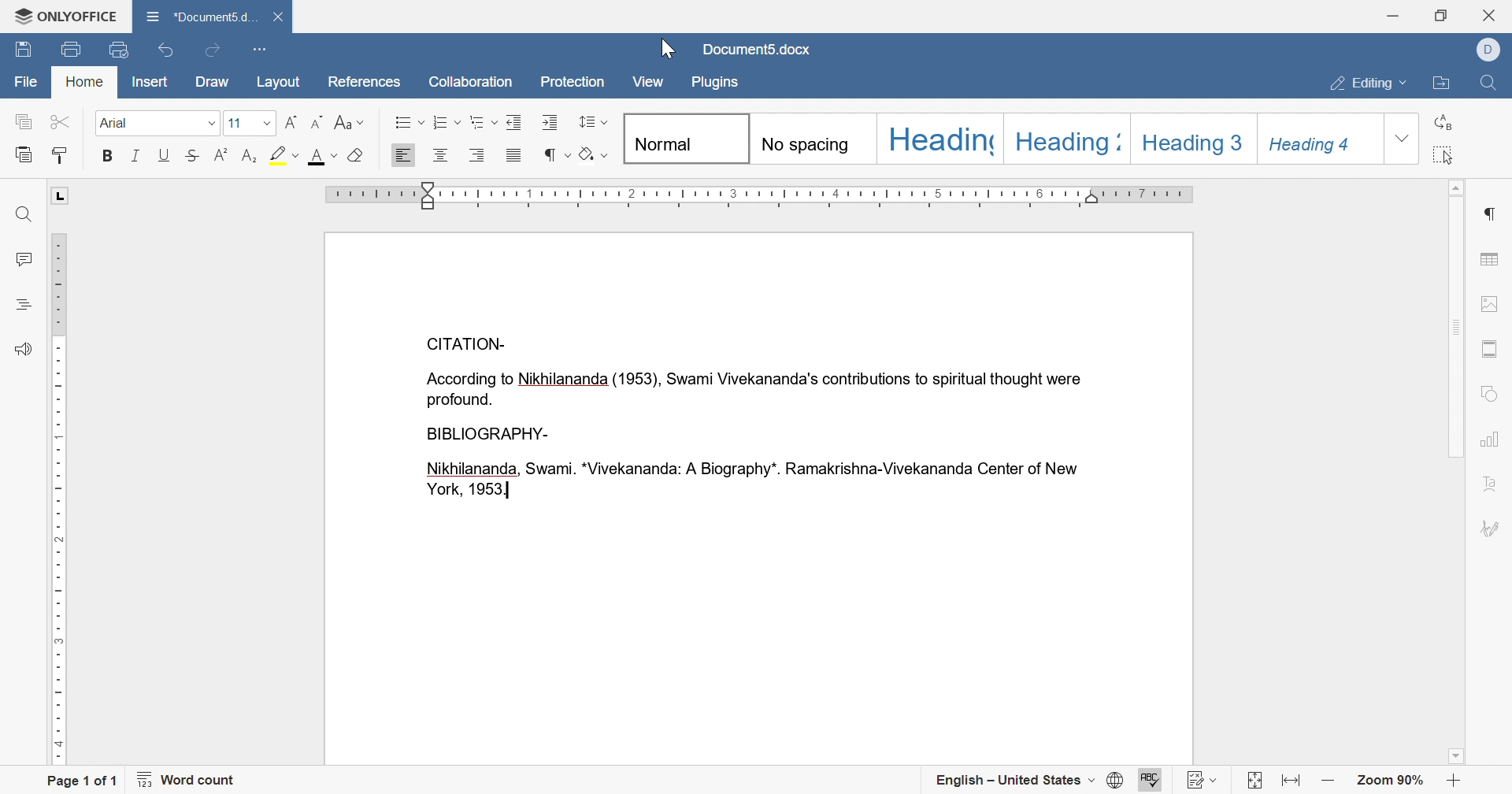 Image resolution: width=1512 pixels, height=794 pixels. I want to click on find, so click(1492, 83).